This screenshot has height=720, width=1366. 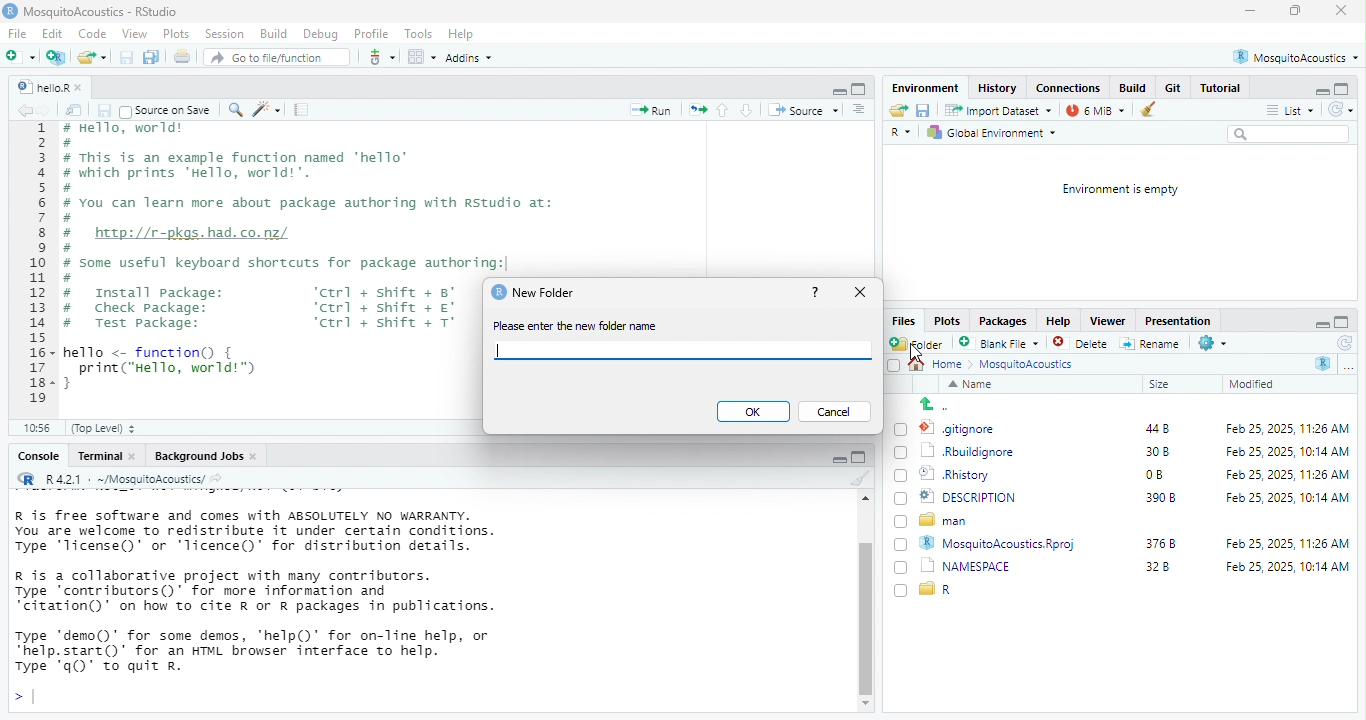 What do you see at coordinates (30, 696) in the screenshot?
I see `typing cursor` at bounding box center [30, 696].